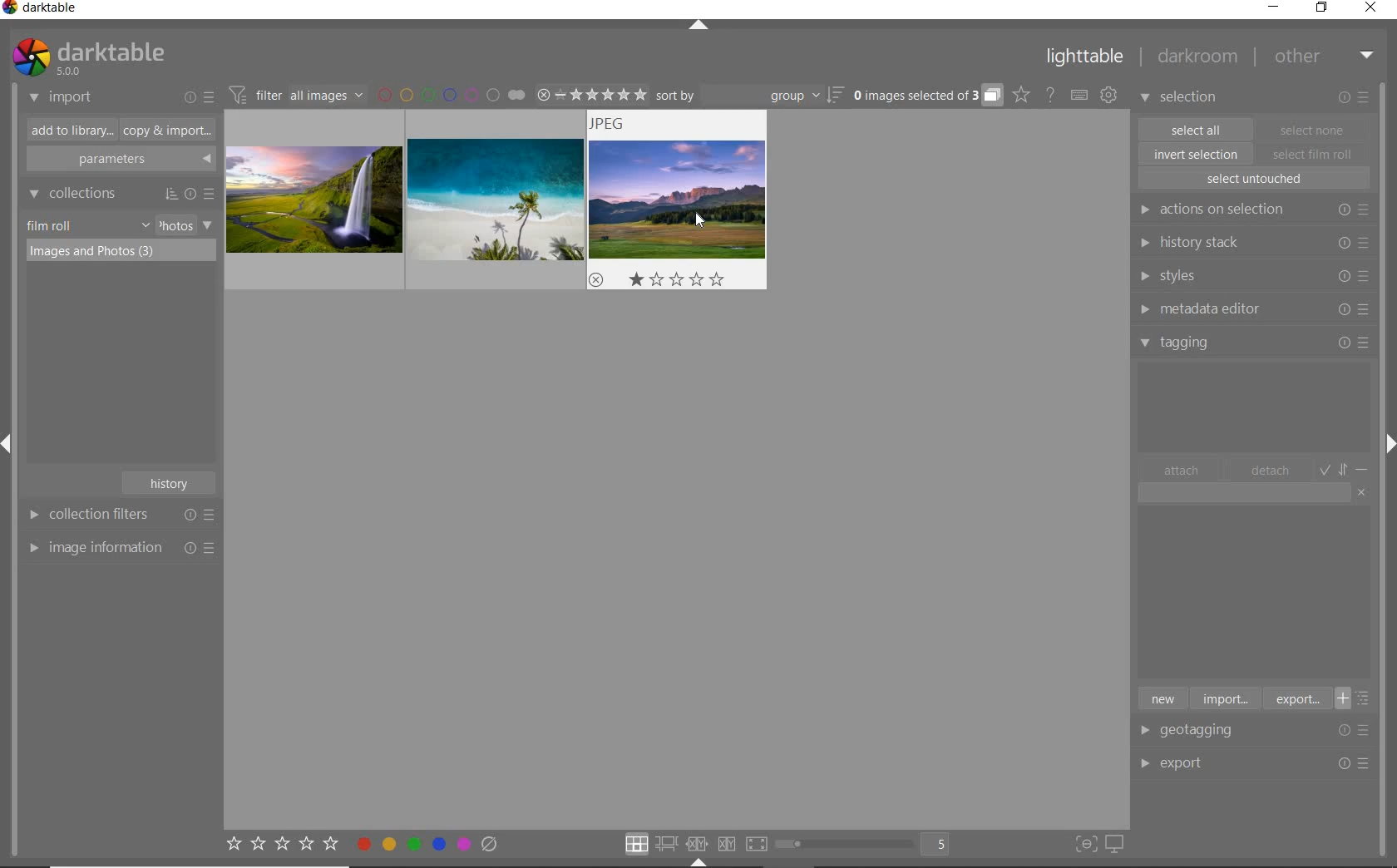 This screenshot has height=868, width=1397. What do you see at coordinates (1162, 698) in the screenshot?
I see `new` at bounding box center [1162, 698].